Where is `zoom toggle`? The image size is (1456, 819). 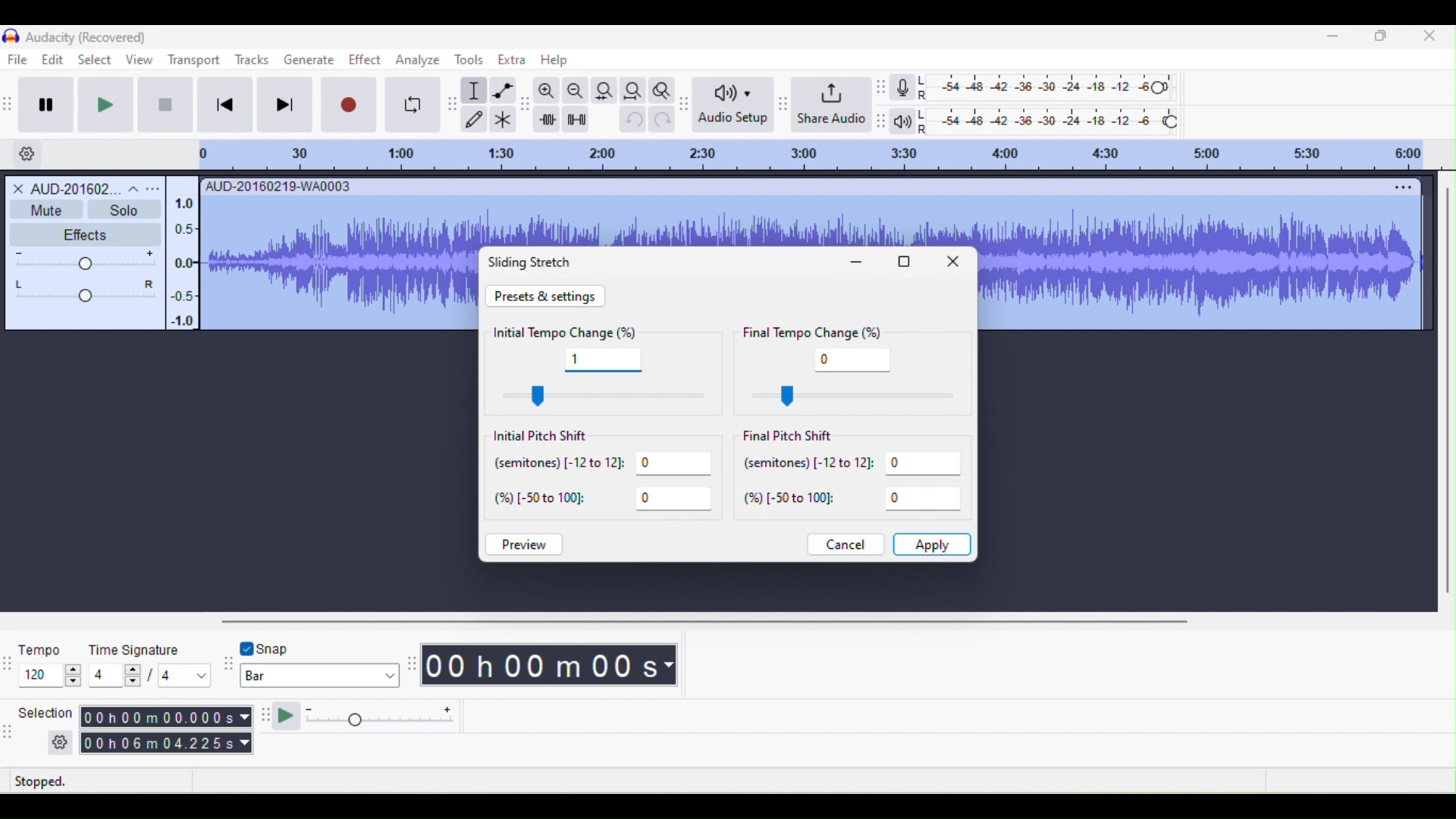
zoom toggle is located at coordinates (662, 89).